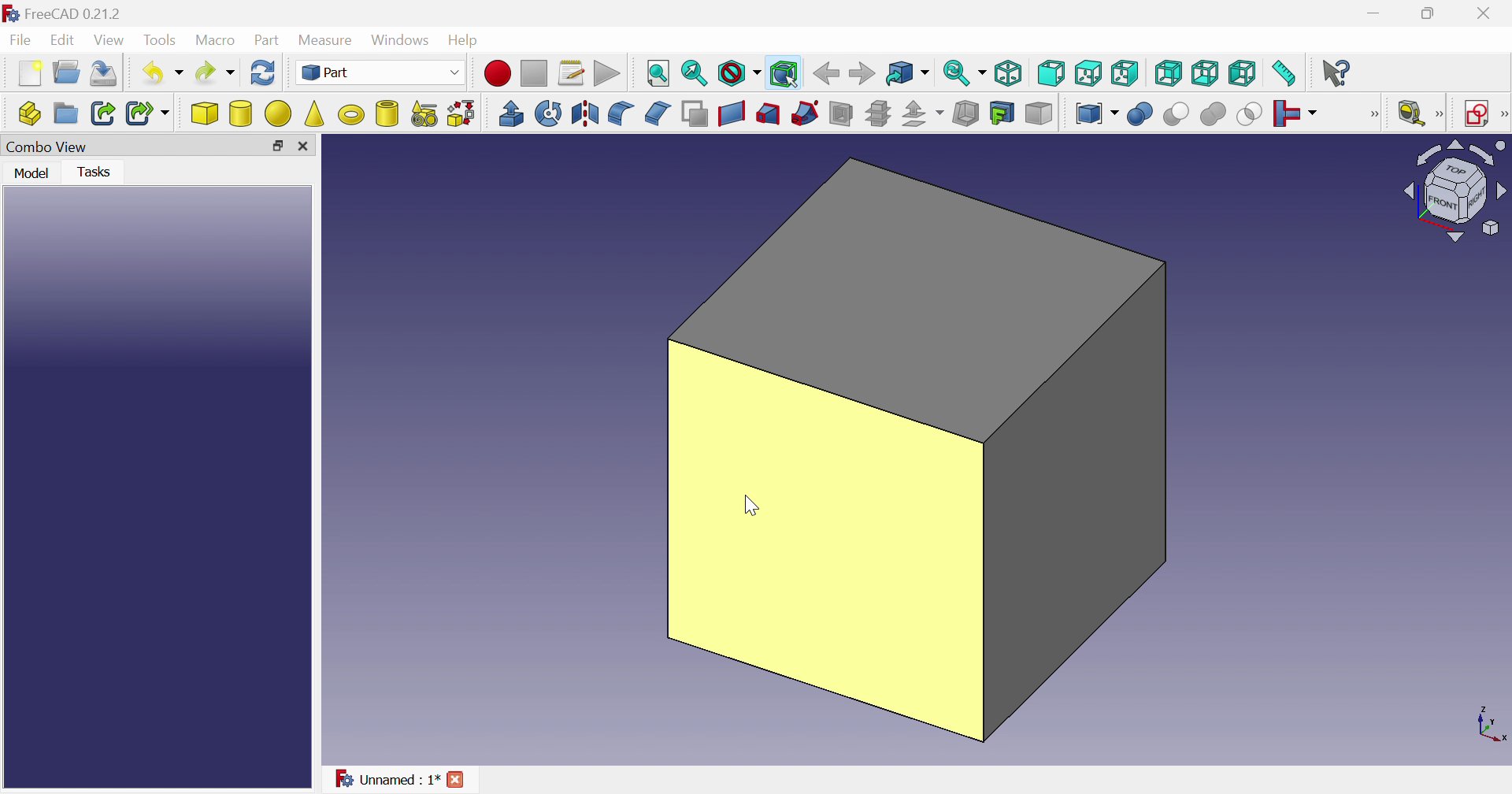 The width and height of the screenshot is (1512, 794). What do you see at coordinates (1285, 74) in the screenshot?
I see `Measure distance` at bounding box center [1285, 74].